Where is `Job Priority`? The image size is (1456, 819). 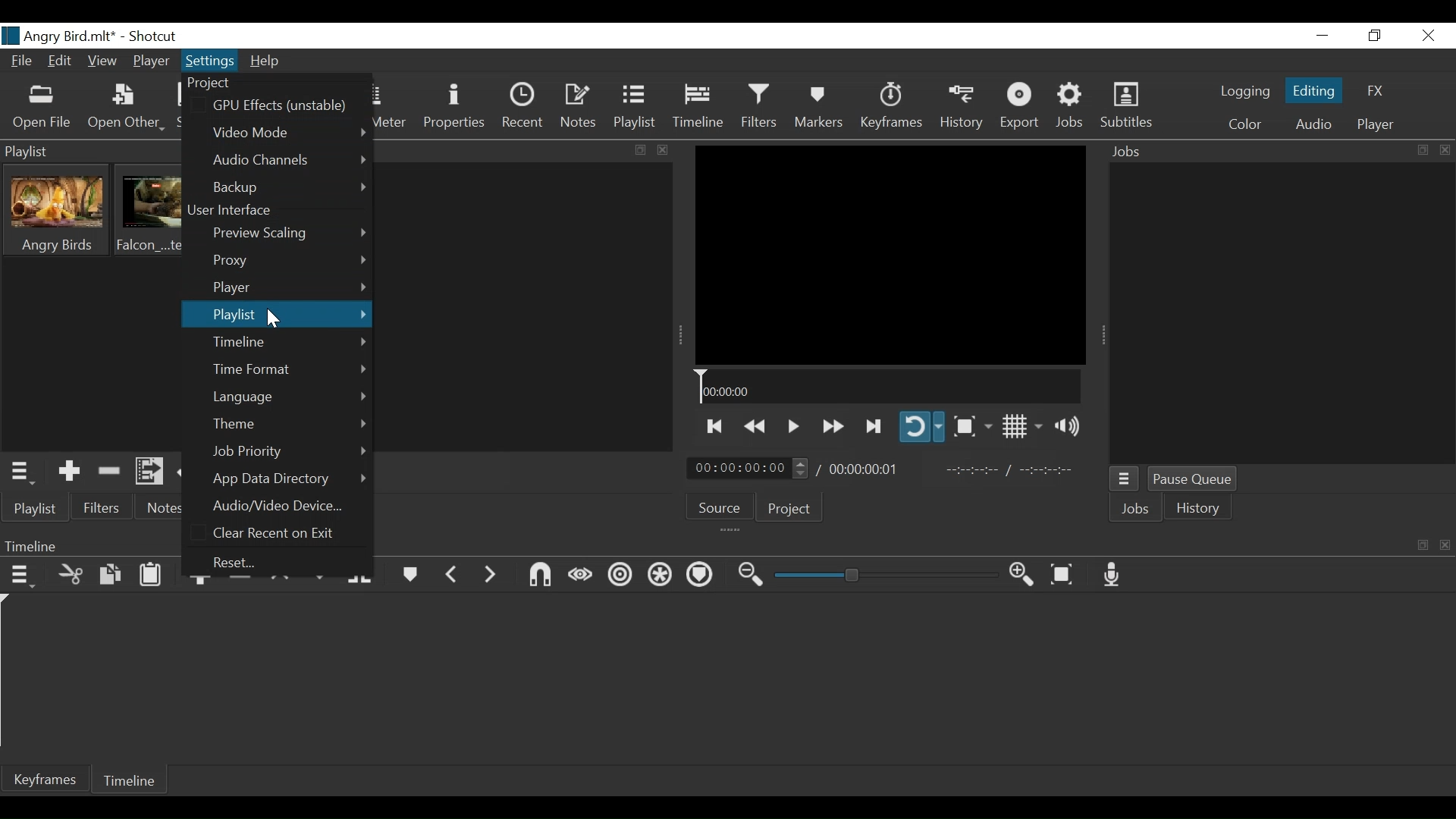 Job Priority is located at coordinates (289, 452).